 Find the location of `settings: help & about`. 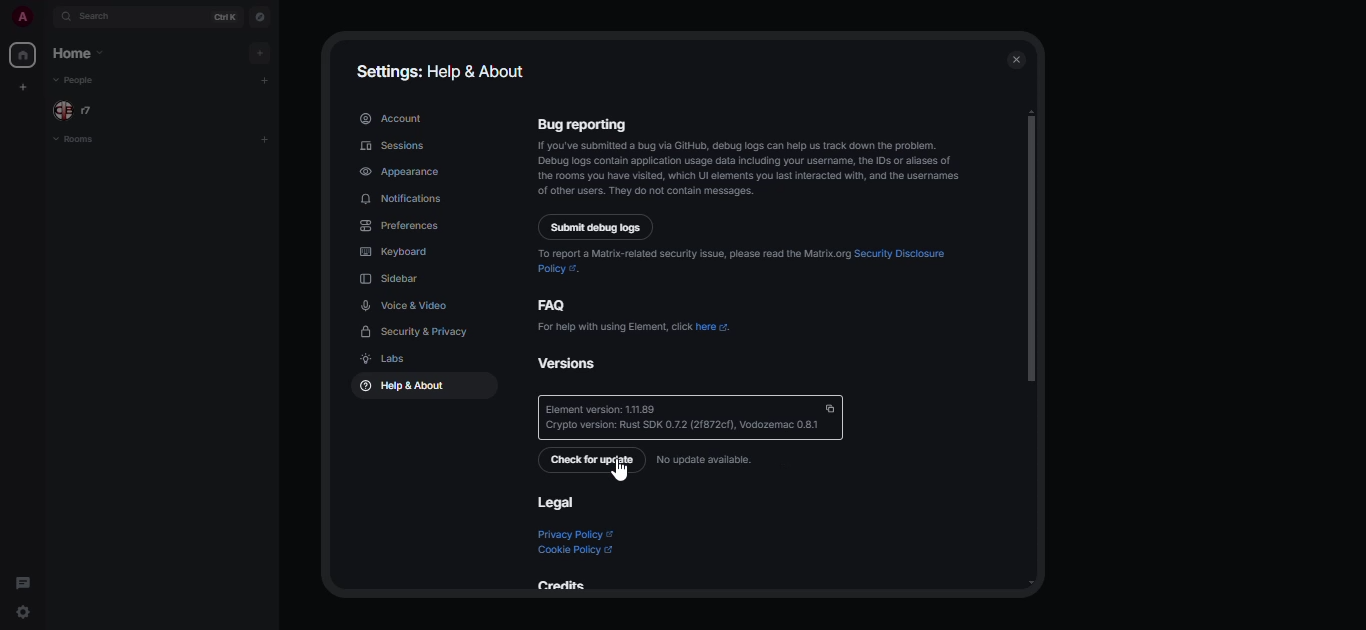

settings: help & about is located at coordinates (444, 69).